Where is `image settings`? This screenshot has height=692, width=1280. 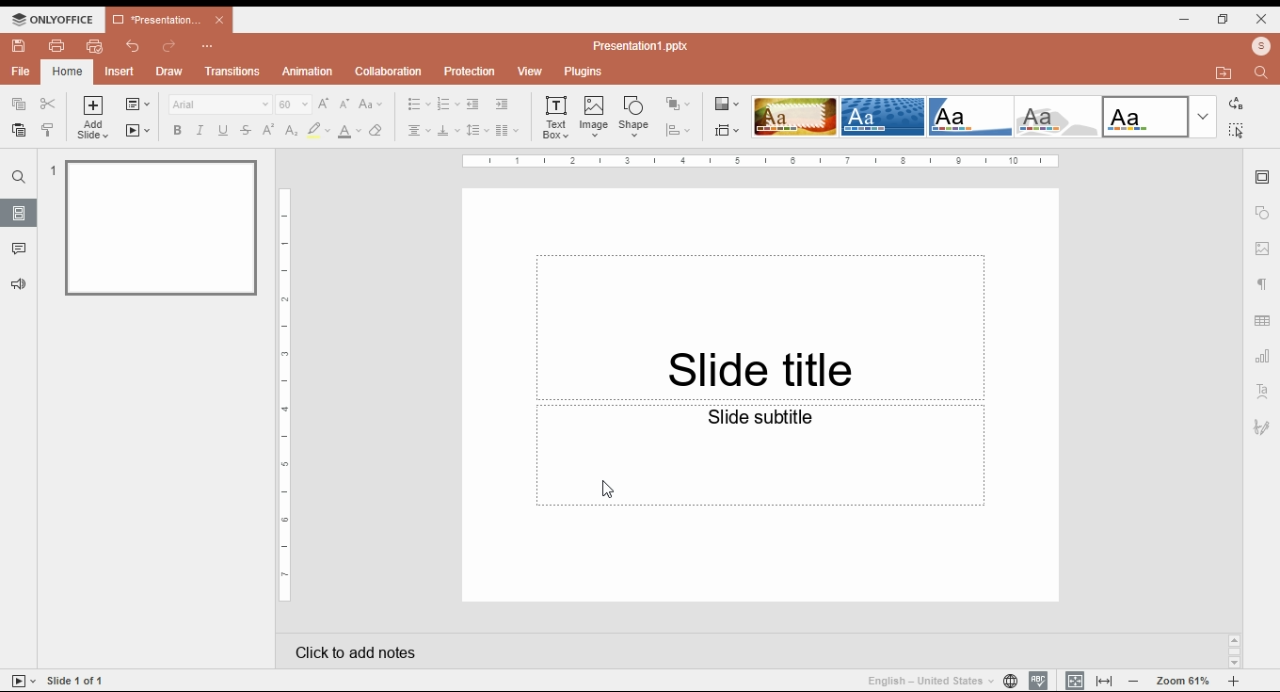
image settings is located at coordinates (1263, 250).